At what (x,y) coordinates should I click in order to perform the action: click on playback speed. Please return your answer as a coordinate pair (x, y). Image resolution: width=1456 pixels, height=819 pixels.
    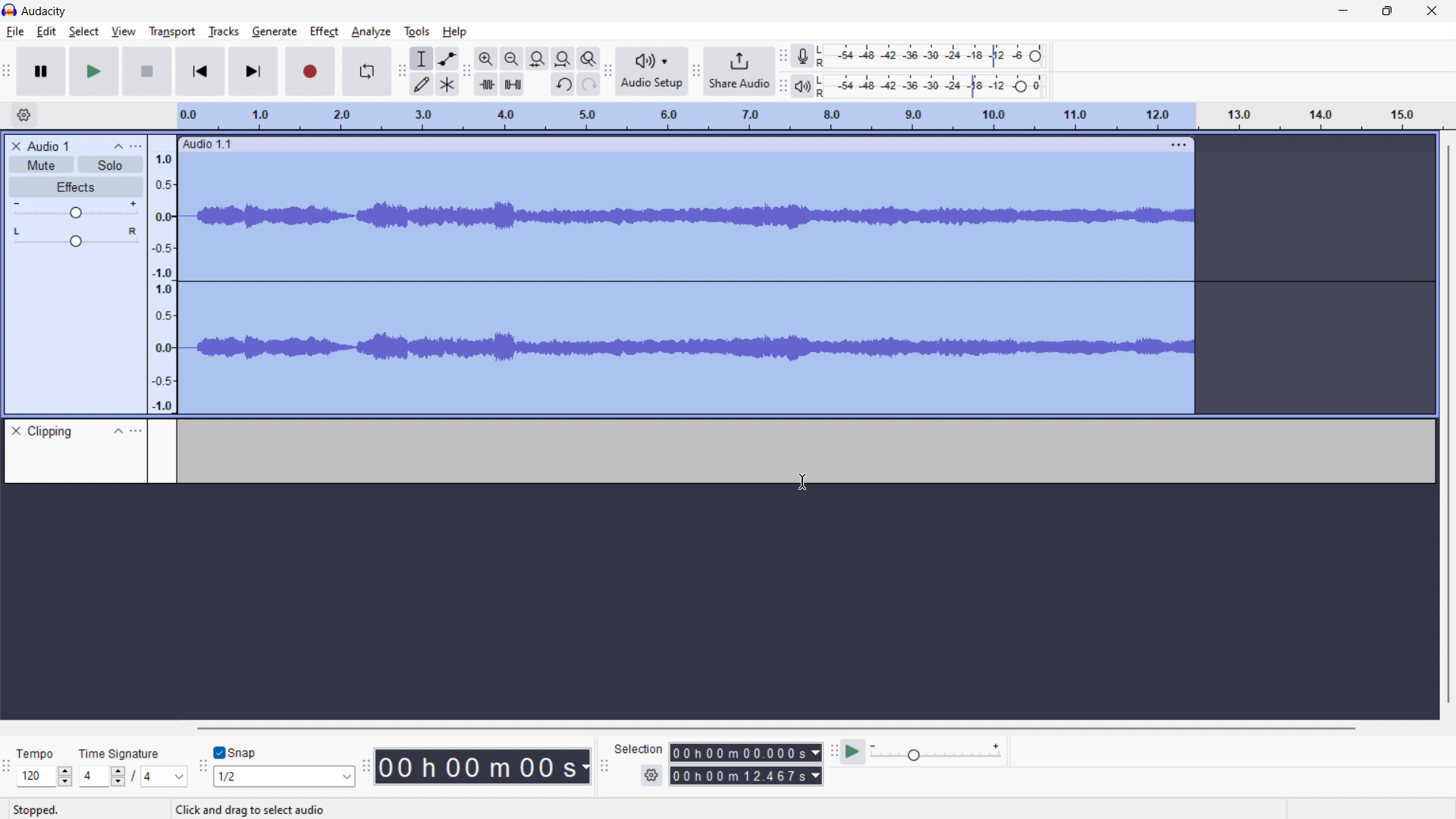
    Looking at the image, I should click on (937, 753).